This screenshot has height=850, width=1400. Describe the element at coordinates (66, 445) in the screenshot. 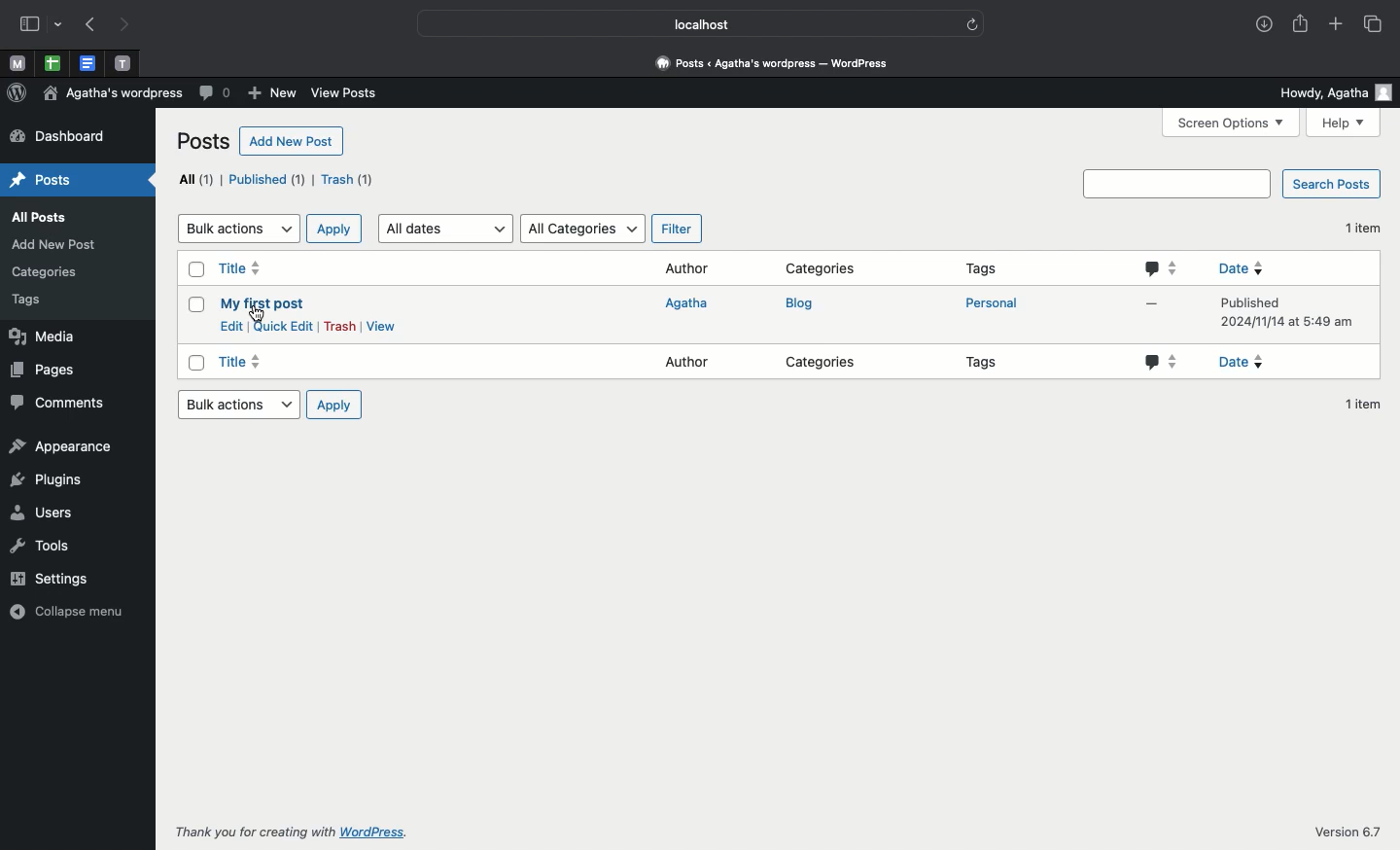

I see `Appearance` at that location.